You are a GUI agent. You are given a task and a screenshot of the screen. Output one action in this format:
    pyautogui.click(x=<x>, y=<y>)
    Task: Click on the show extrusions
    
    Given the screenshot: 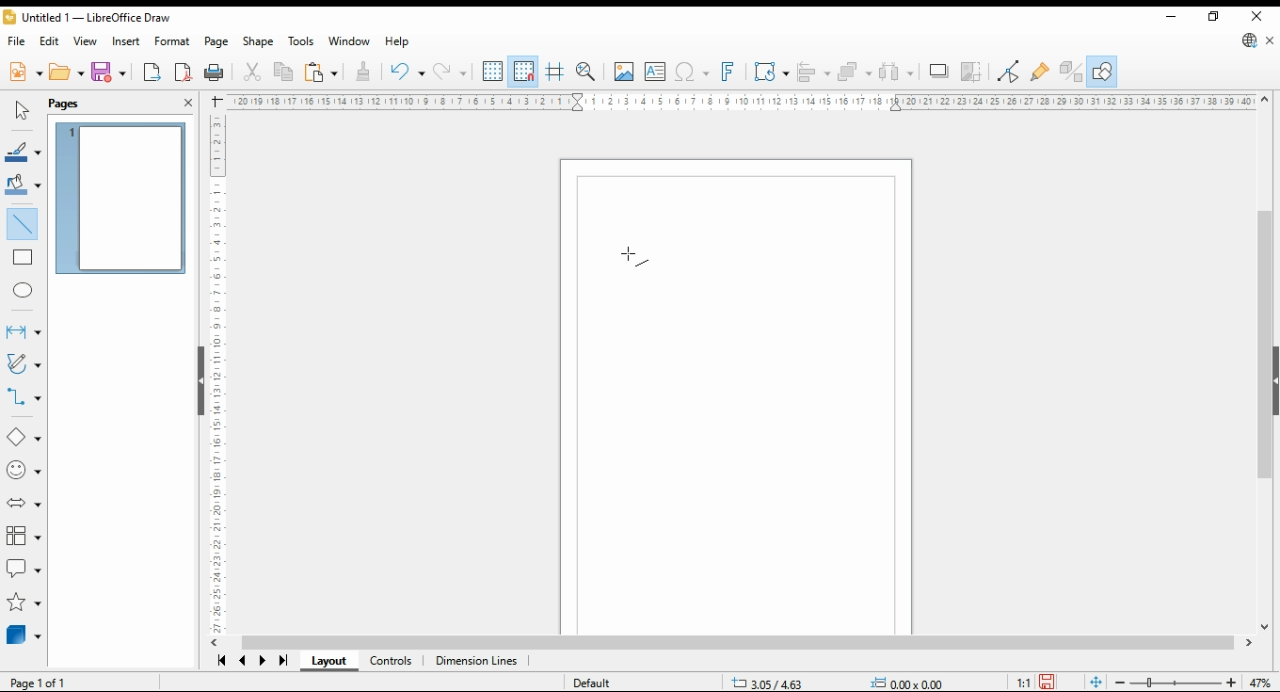 What is the action you would take?
    pyautogui.click(x=1070, y=71)
    